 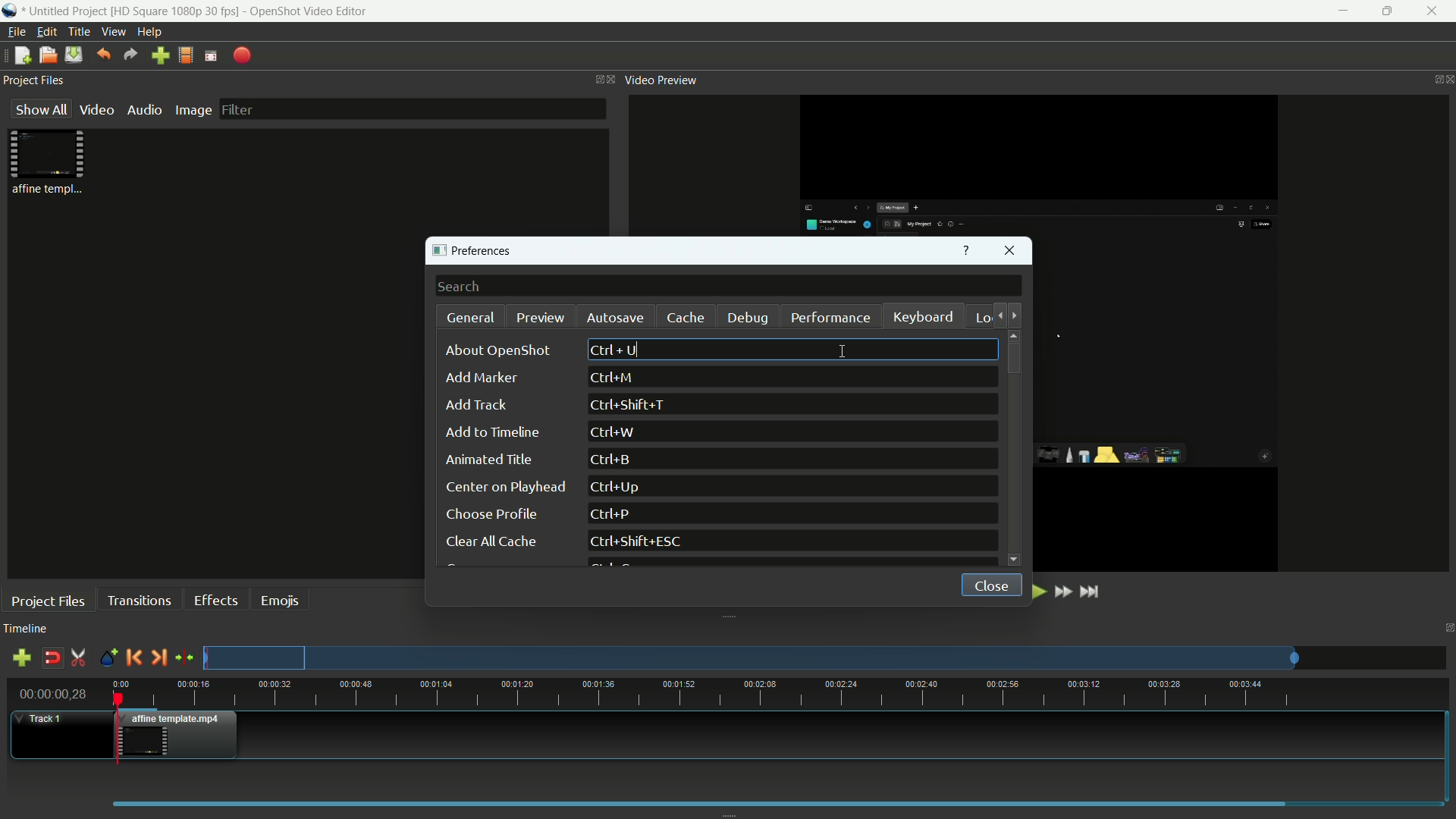 What do you see at coordinates (211, 55) in the screenshot?
I see `full screen` at bounding box center [211, 55].